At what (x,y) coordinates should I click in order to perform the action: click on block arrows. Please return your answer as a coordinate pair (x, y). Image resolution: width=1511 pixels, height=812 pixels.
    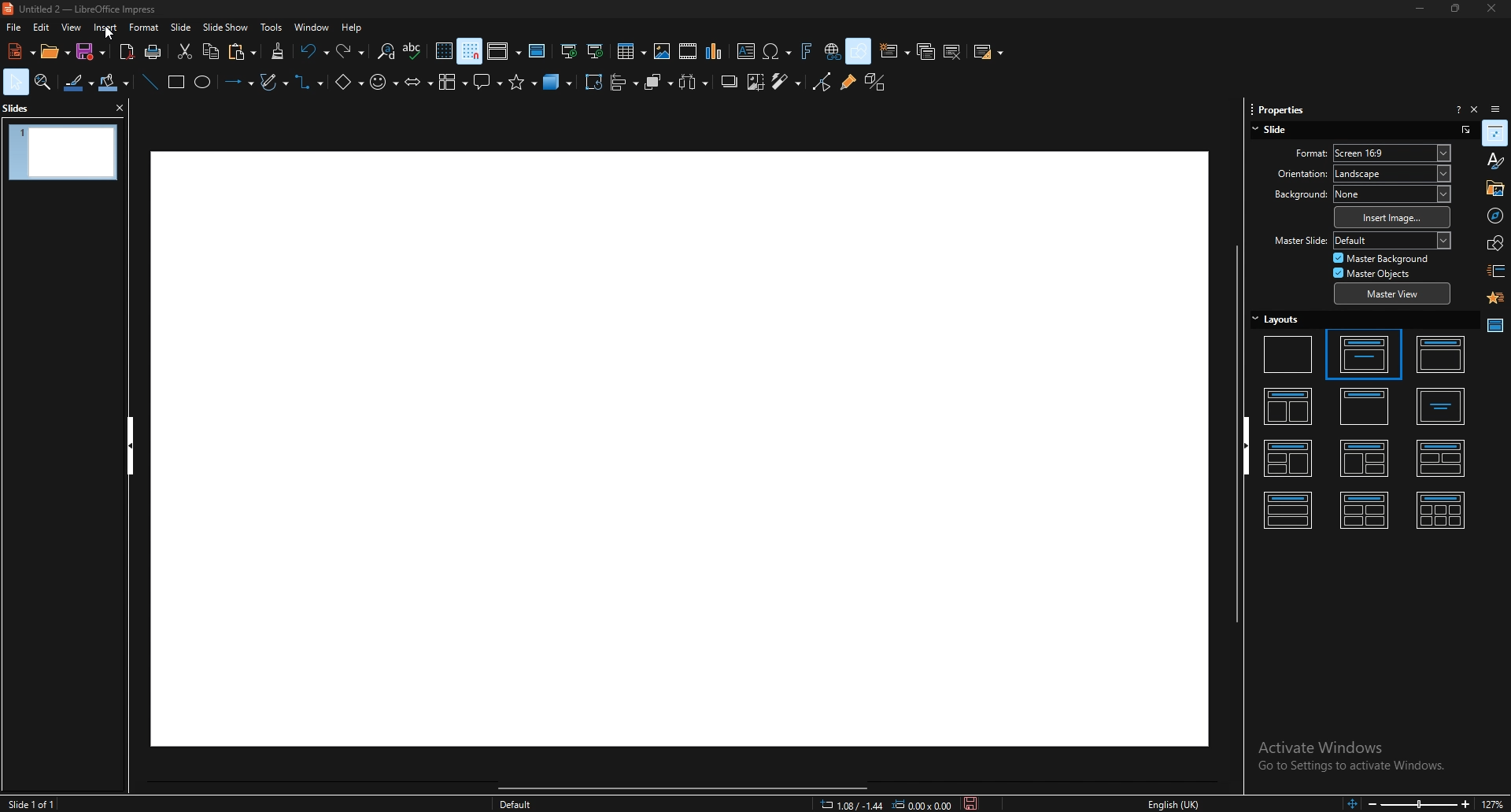
    Looking at the image, I should click on (418, 83).